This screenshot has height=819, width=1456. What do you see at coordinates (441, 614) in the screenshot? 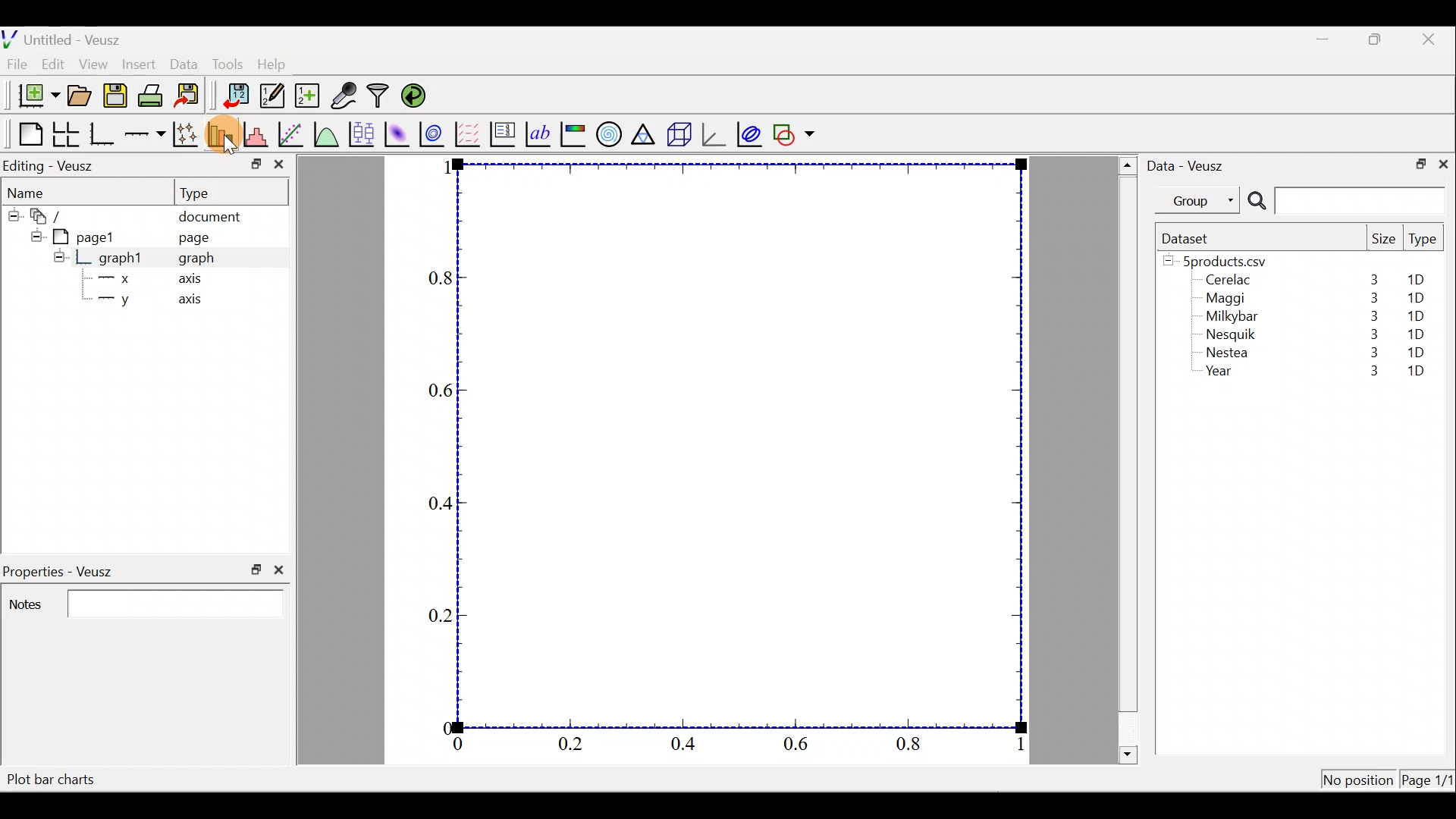
I see `0.2` at bounding box center [441, 614].